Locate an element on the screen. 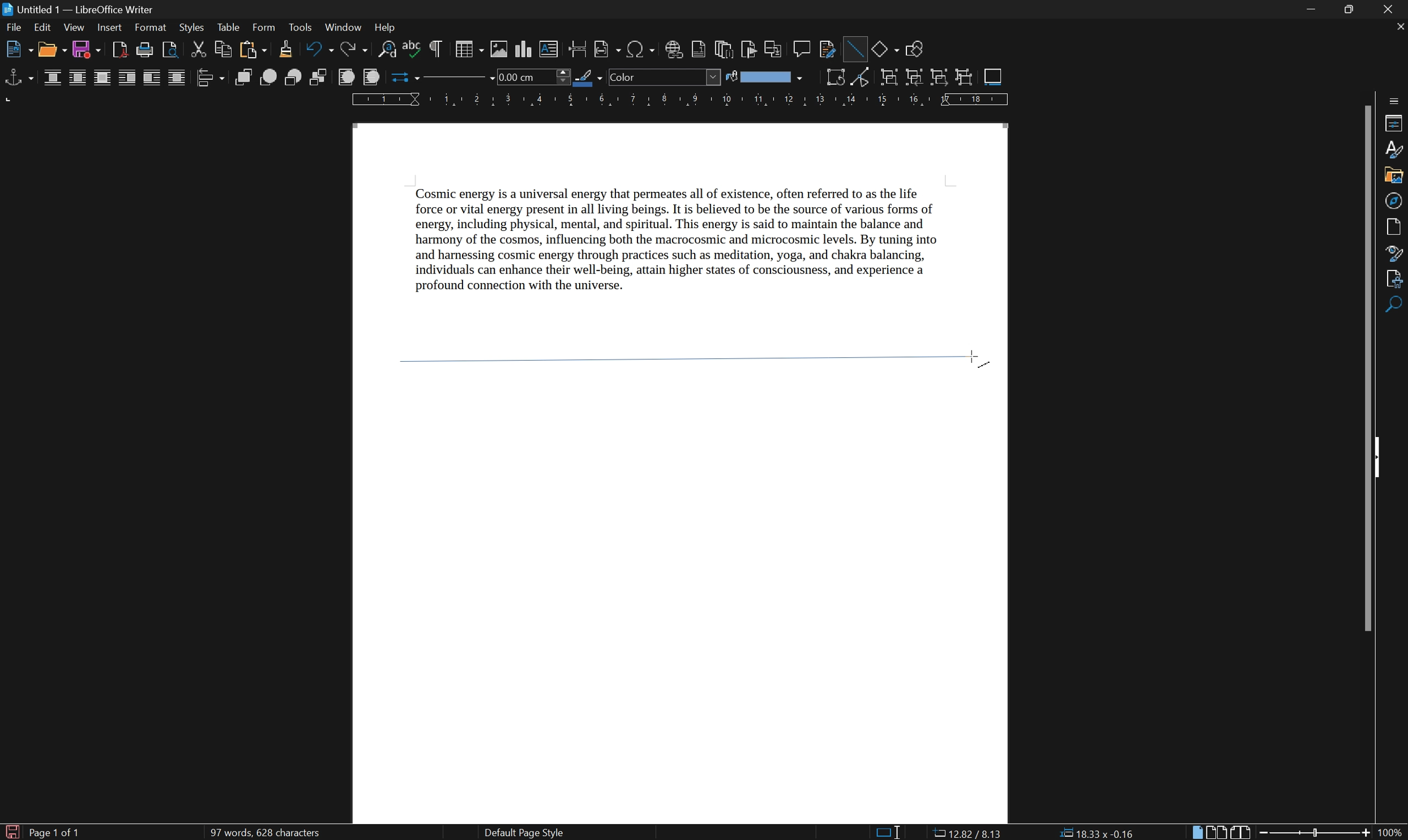 The height and width of the screenshot is (840, 1408). zoom in is located at coordinates (1364, 833).